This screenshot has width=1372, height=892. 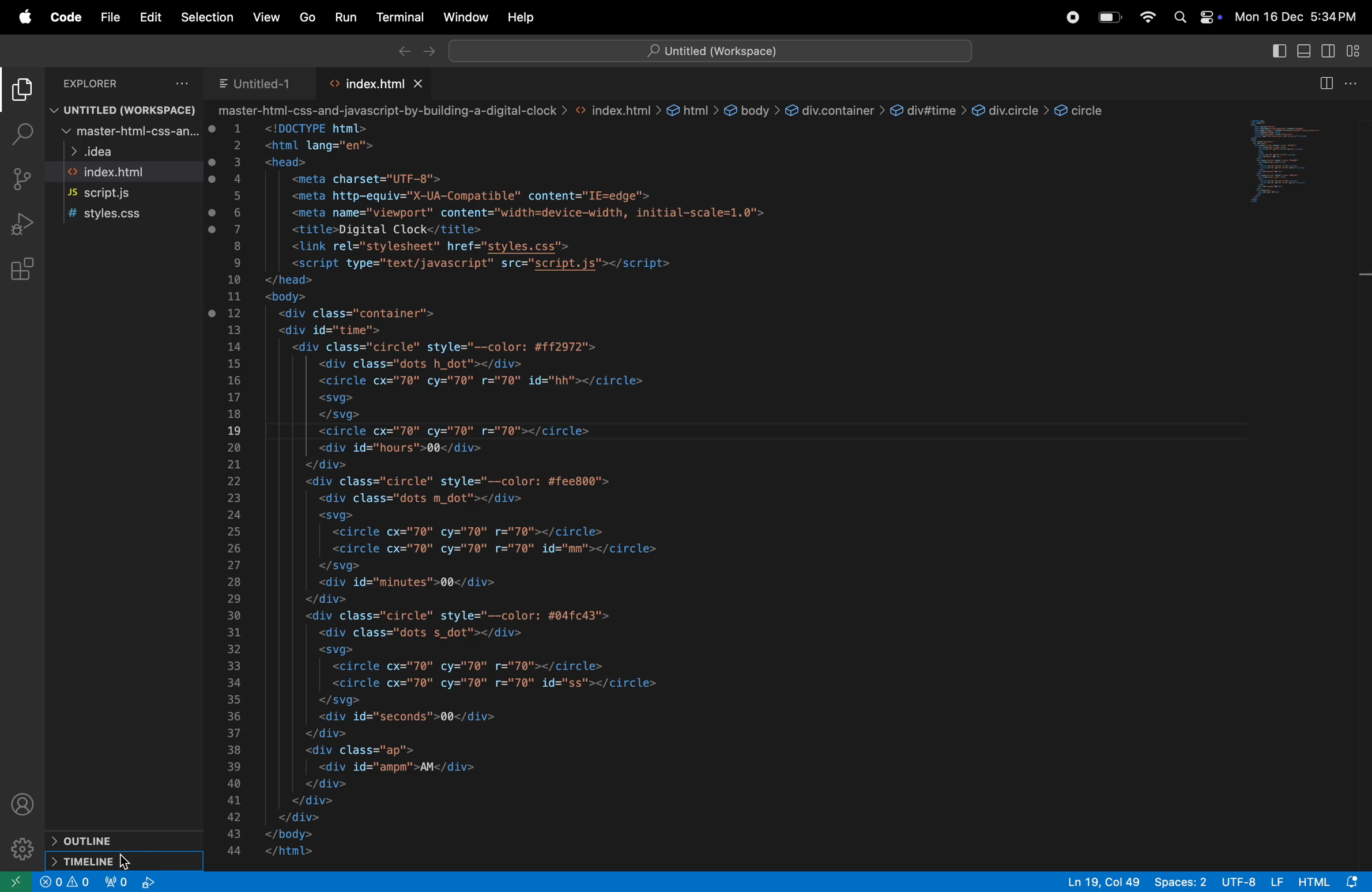 What do you see at coordinates (419, 499) in the screenshot?
I see `<div class="dots m dot"></div>` at bounding box center [419, 499].